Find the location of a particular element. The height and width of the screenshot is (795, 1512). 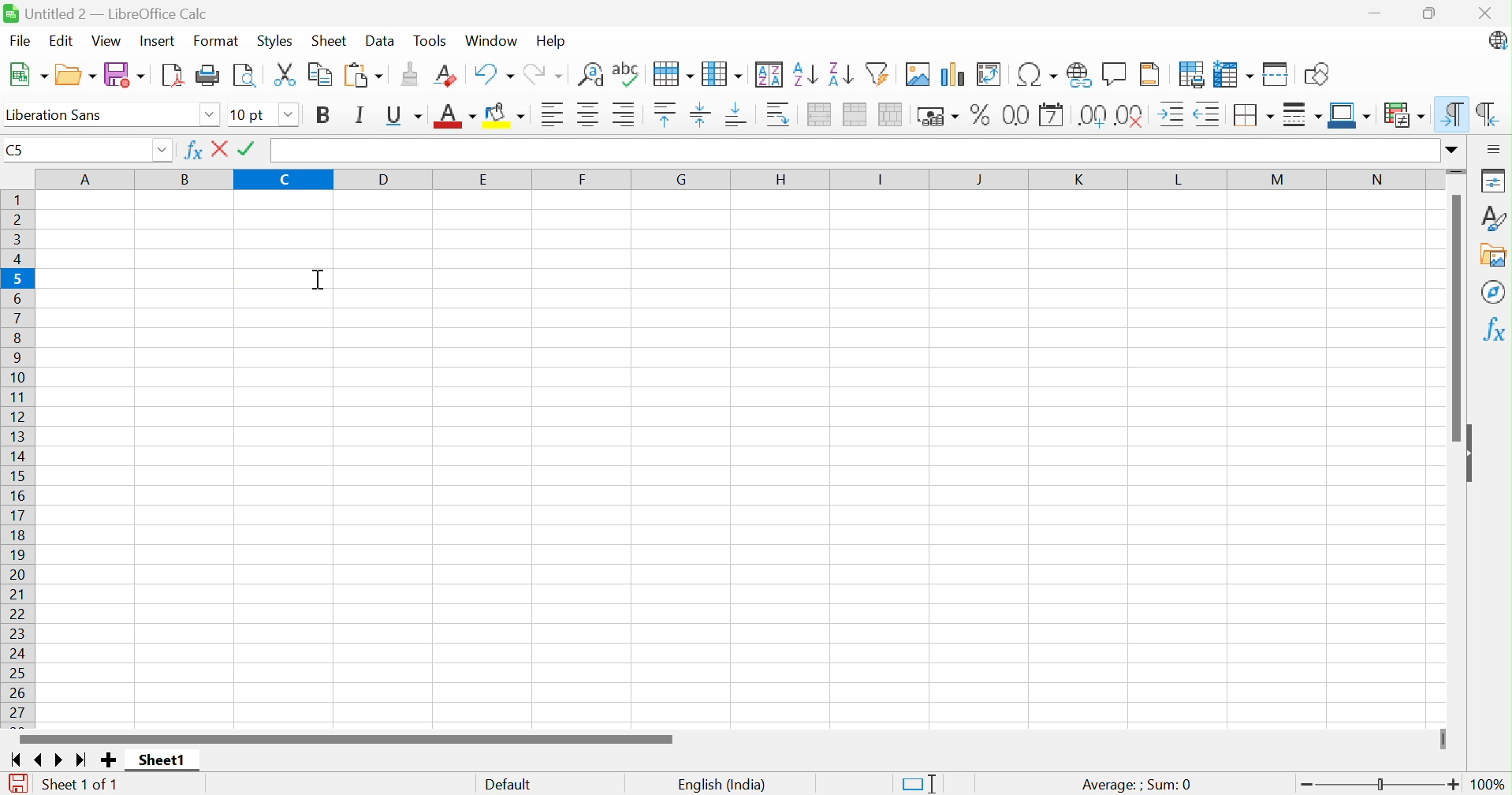

Define print area is located at coordinates (1193, 74).